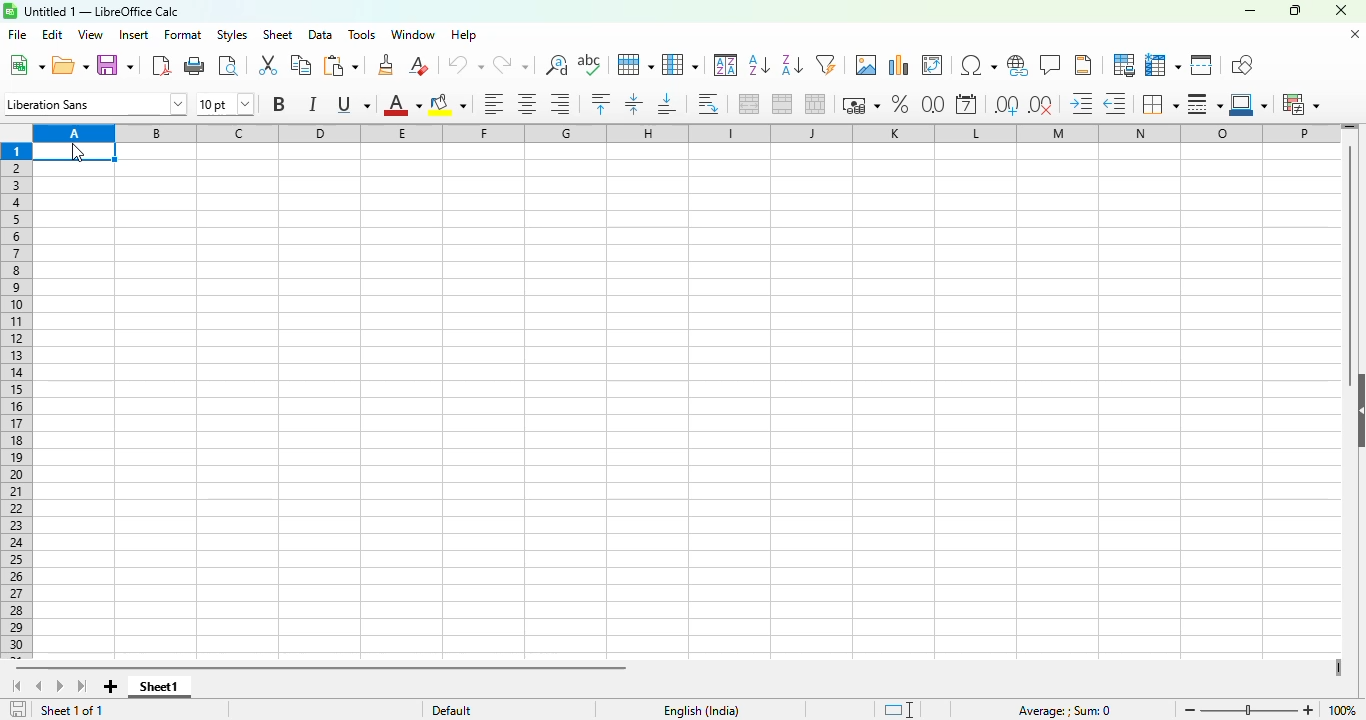 The image size is (1366, 720). Describe the element at coordinates (1019, 65) in the screenshot. I see `insert hyperlink` at that location.